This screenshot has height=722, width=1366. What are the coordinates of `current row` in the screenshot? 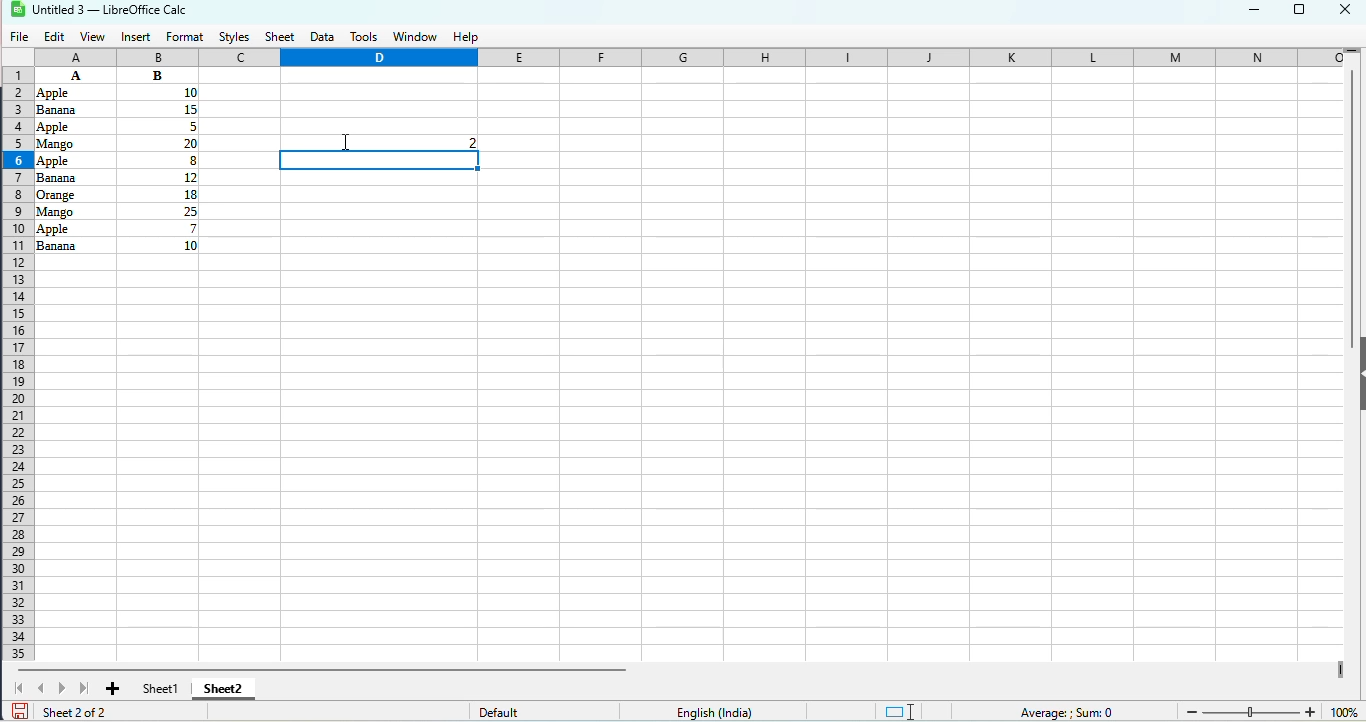 It's located at (18, 159).